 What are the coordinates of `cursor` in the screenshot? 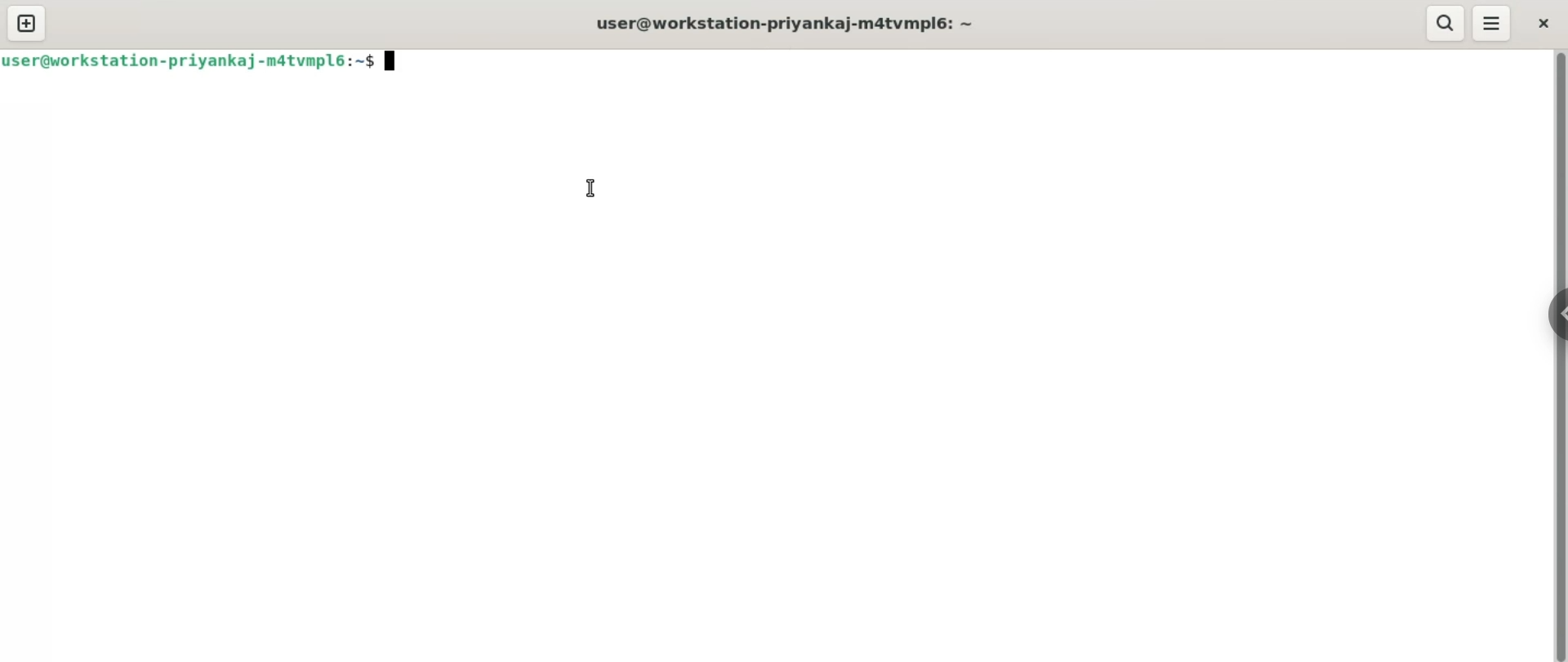 It's located at (590, 186).